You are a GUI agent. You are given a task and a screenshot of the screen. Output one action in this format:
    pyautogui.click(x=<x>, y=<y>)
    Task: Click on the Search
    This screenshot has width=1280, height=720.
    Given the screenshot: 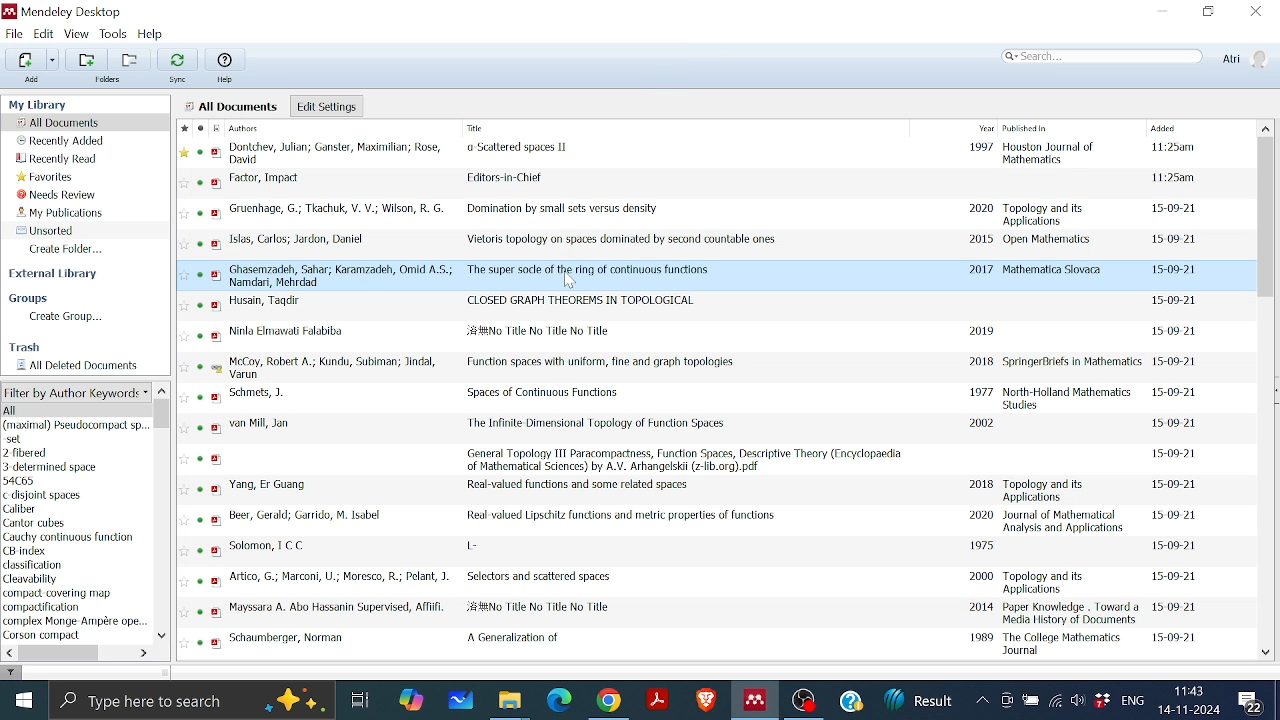 What is the action you would take?
    pyautogui.click(x=1102, y=56)
    